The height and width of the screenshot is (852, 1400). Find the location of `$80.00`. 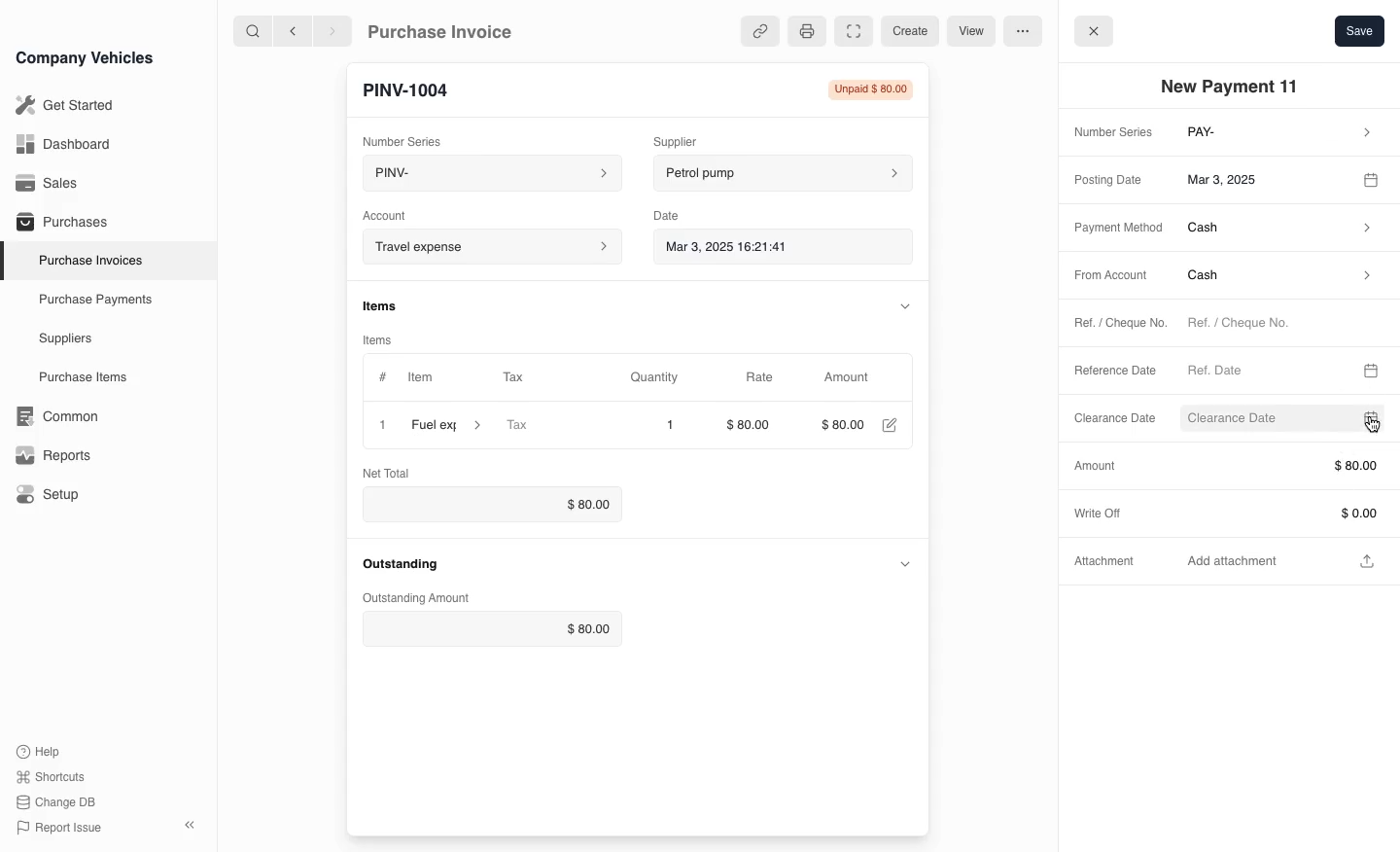

$80.00 is located at coordinates (495, 629).